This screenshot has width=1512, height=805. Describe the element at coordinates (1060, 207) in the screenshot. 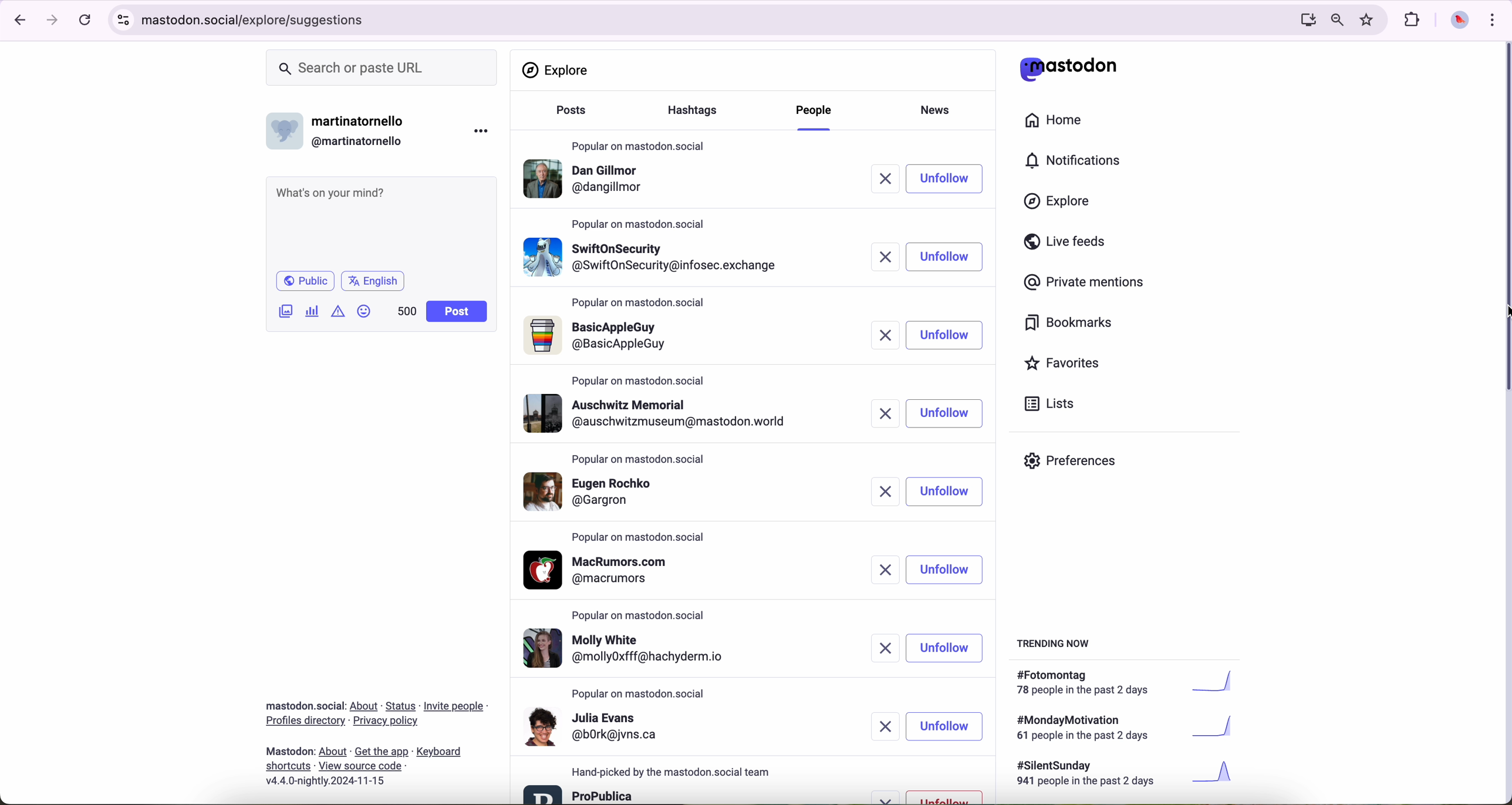

I see `click on explore button` at that location.